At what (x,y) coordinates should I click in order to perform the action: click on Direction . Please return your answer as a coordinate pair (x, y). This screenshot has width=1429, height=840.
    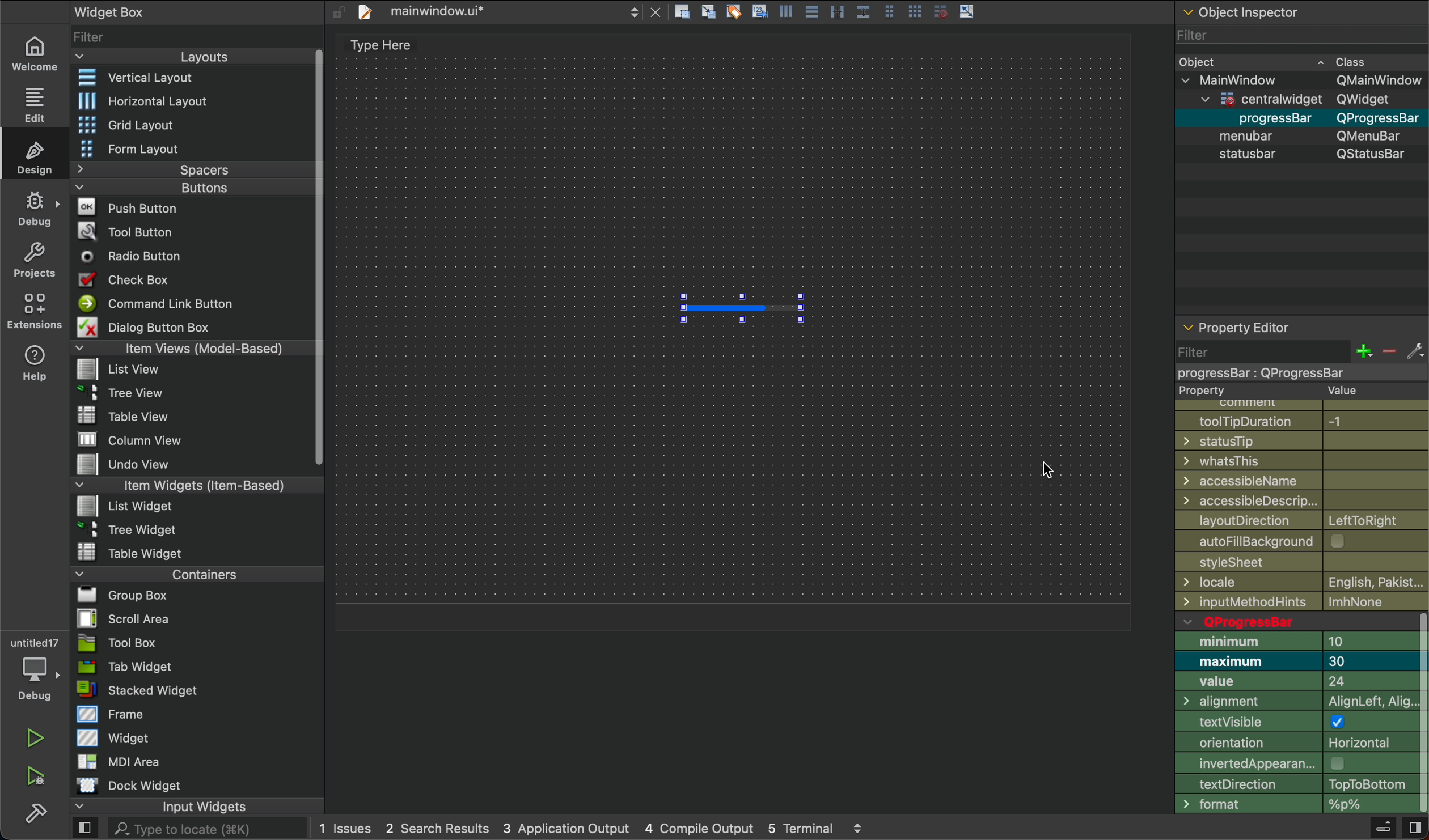
    Looking at the image, I should click on (1291, 784).